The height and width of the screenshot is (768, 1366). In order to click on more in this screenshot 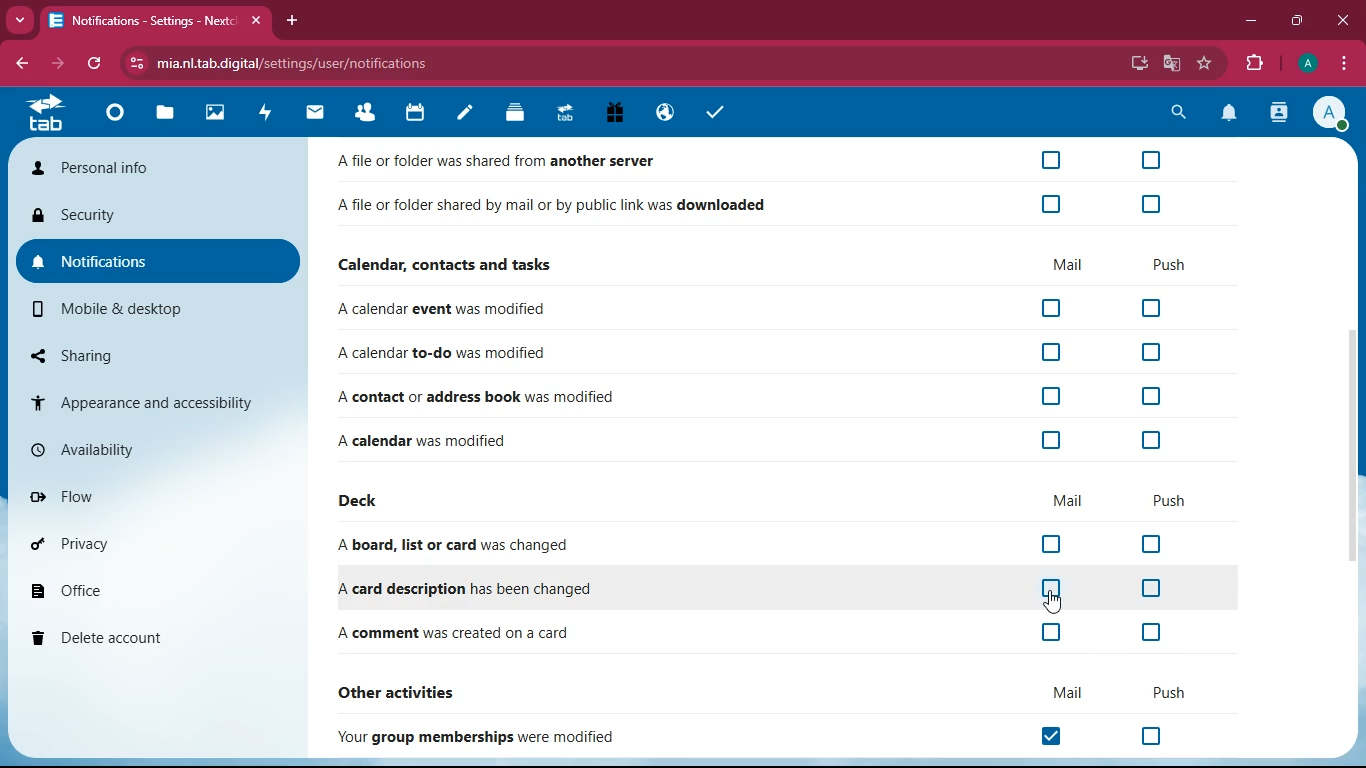, I will do `click(17, 20)`.